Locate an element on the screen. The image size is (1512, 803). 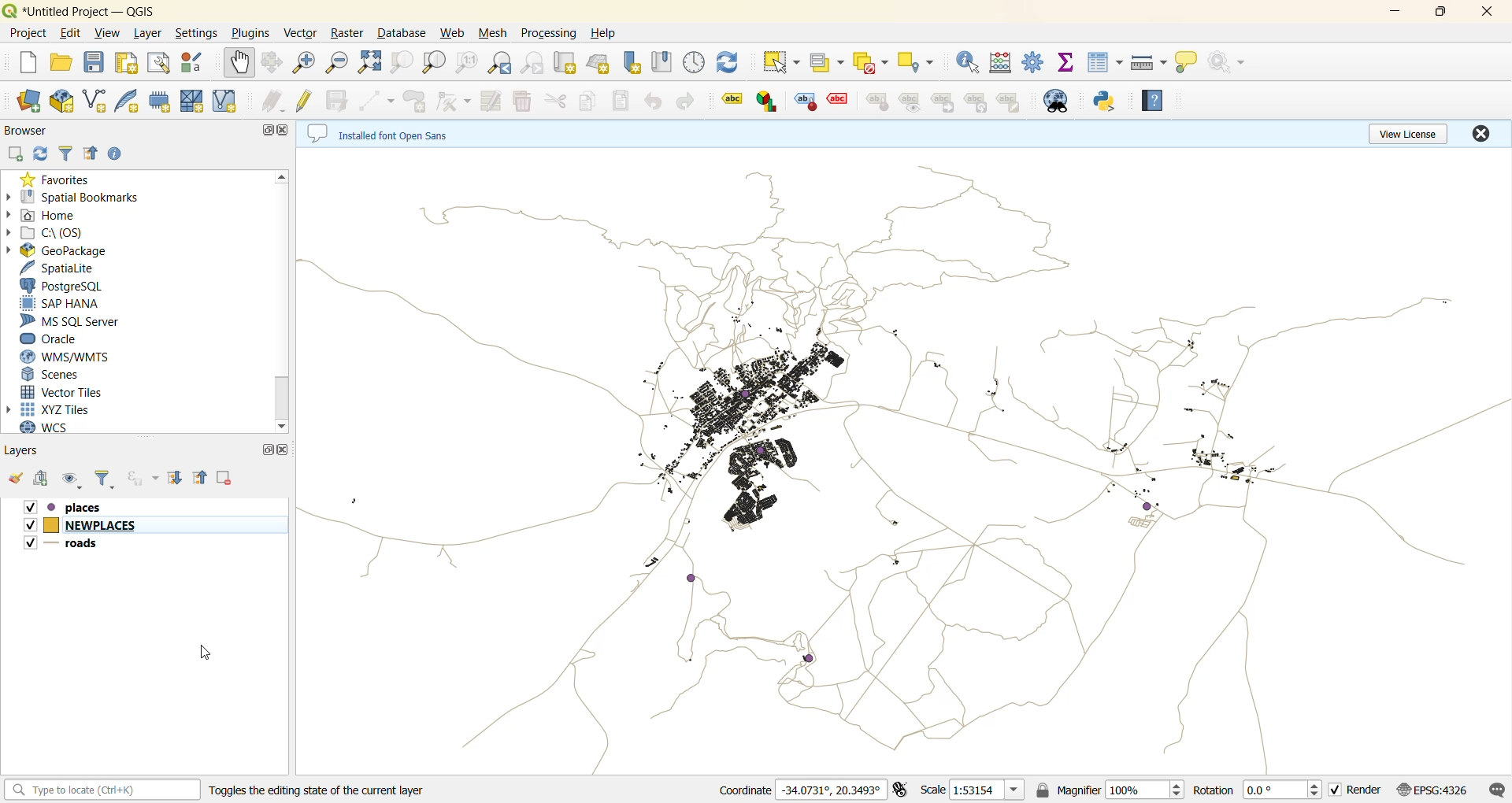
cursor is located at coordinates (206, 649).